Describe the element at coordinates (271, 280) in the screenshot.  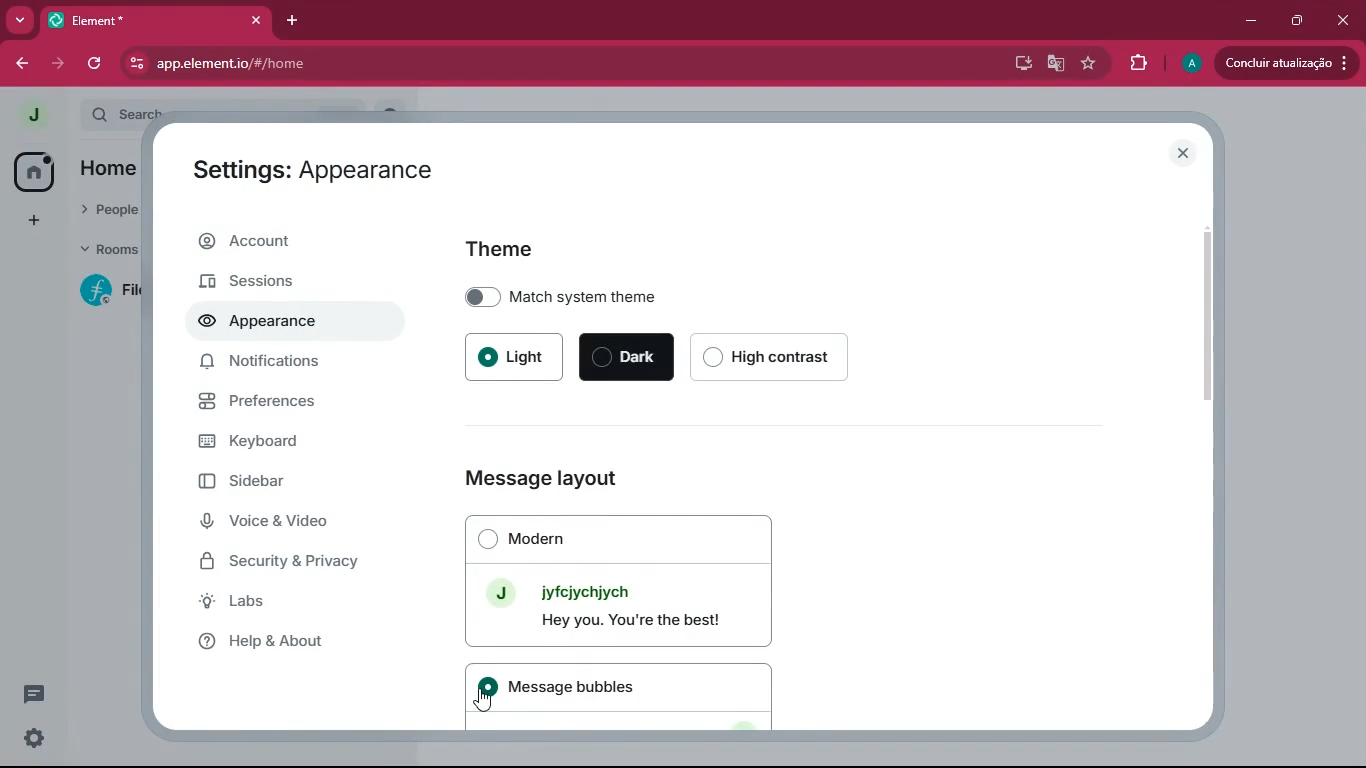
I see `Sessions` at that location.